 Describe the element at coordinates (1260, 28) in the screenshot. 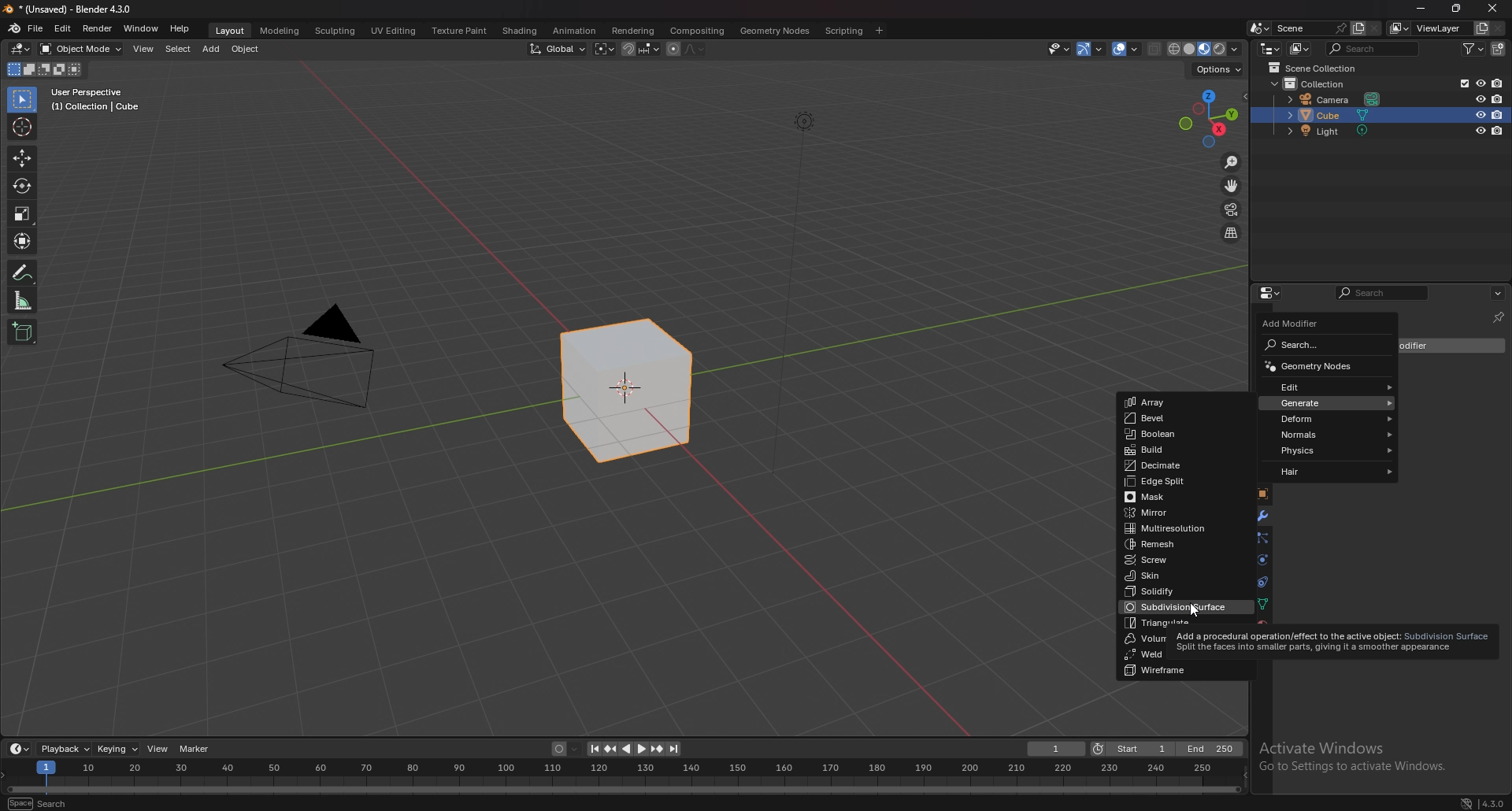

I see `browse scene` at that location.